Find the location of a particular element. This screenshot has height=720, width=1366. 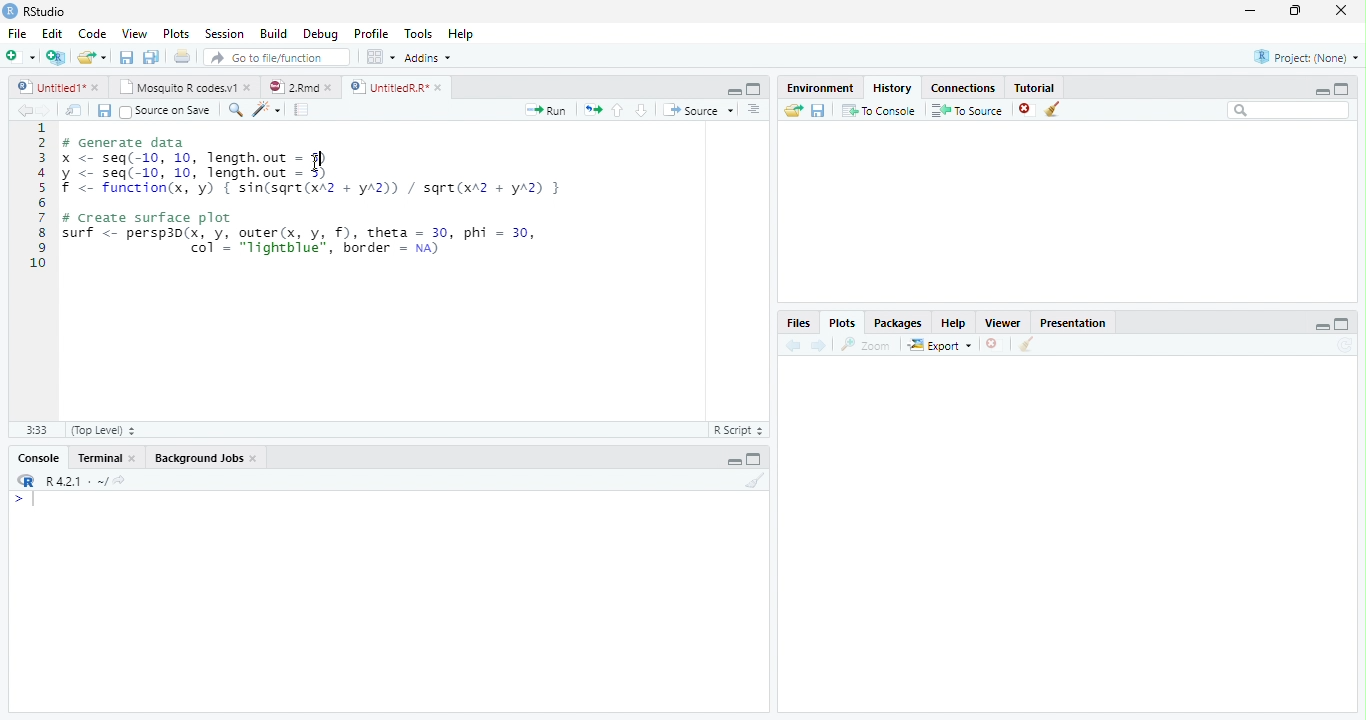

Go back to previous source location is located at coordinates (24, 110).